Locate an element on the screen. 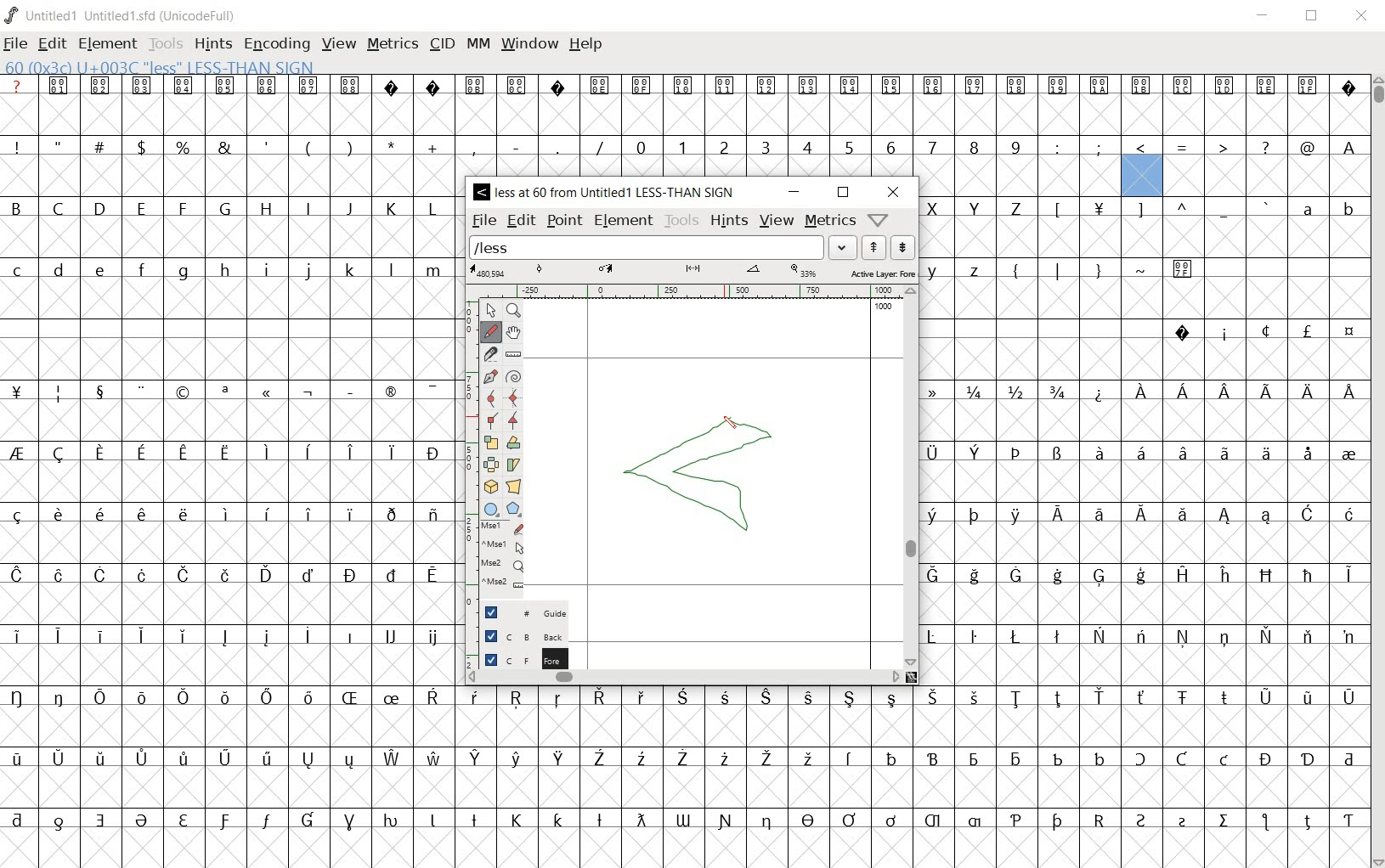 Image resolution: width=1385 pixels, height=868 pixels. symbols is located at coordinates (309, 146).